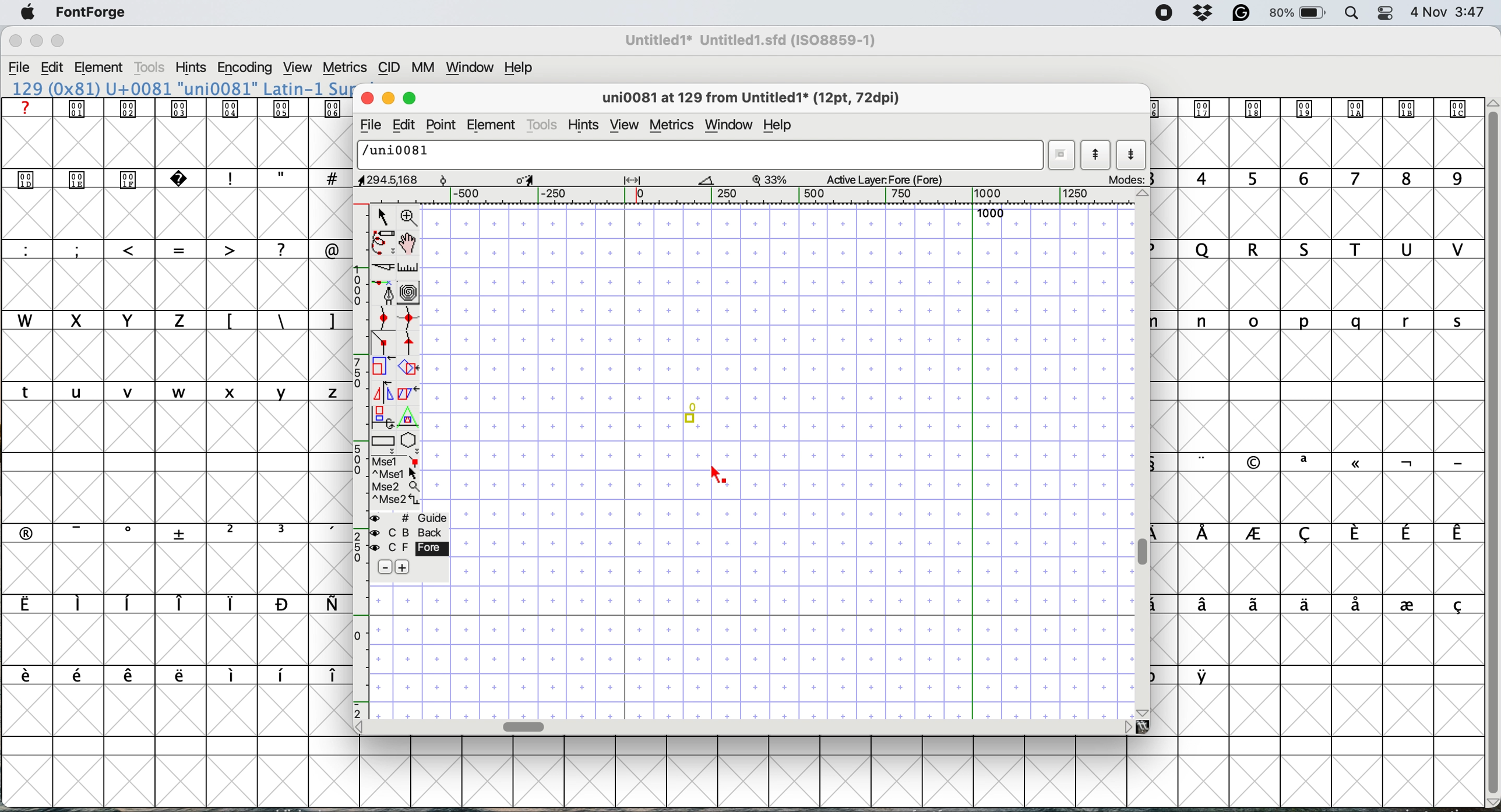 The width and height of the screenshot is (1501, 812). I want to click on modes, so click(1124, 178).